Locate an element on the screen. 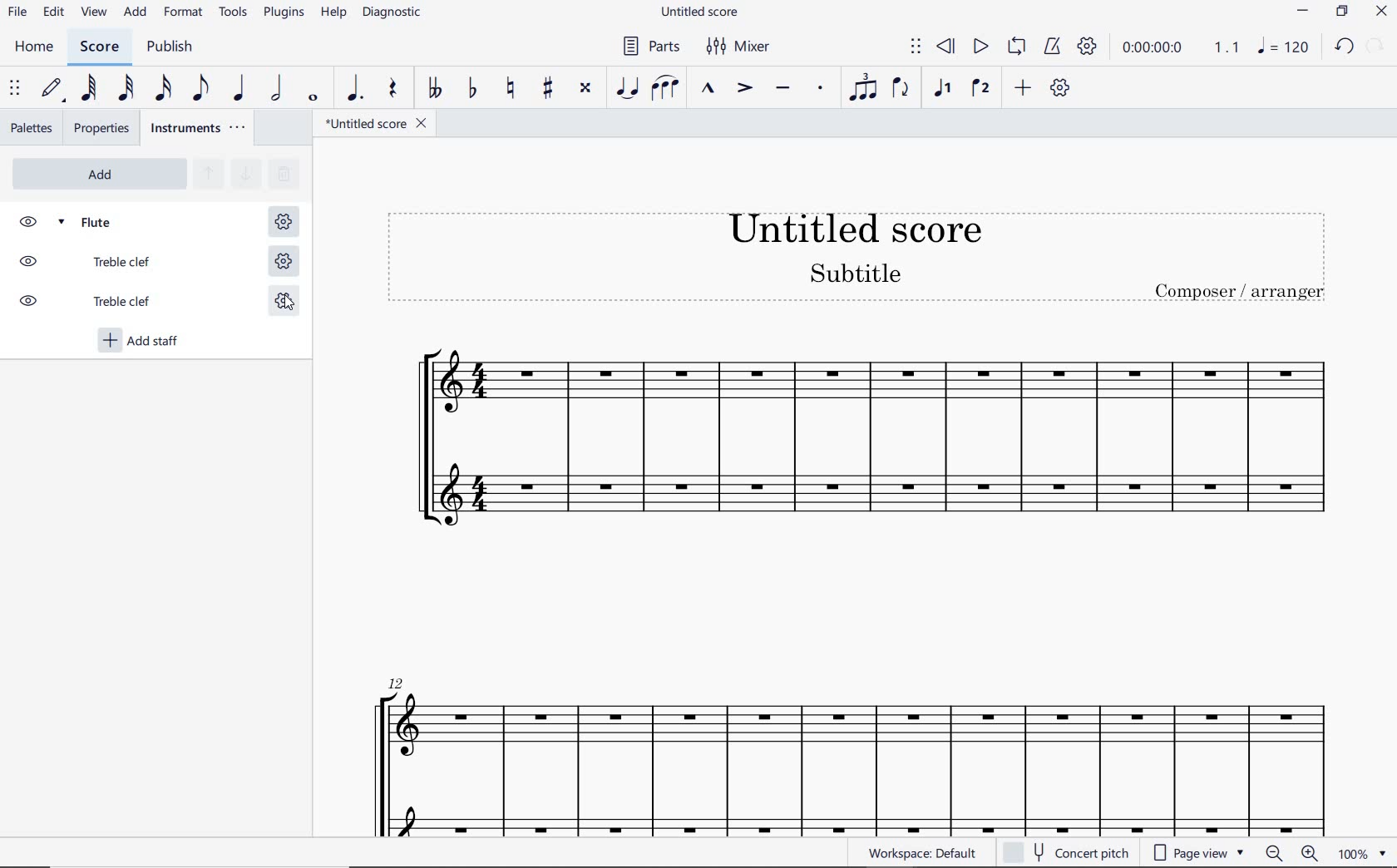 This screenshot has width=1397, height=868. DEFAULT (STEP TIME) is located at coordinates (52, 89).